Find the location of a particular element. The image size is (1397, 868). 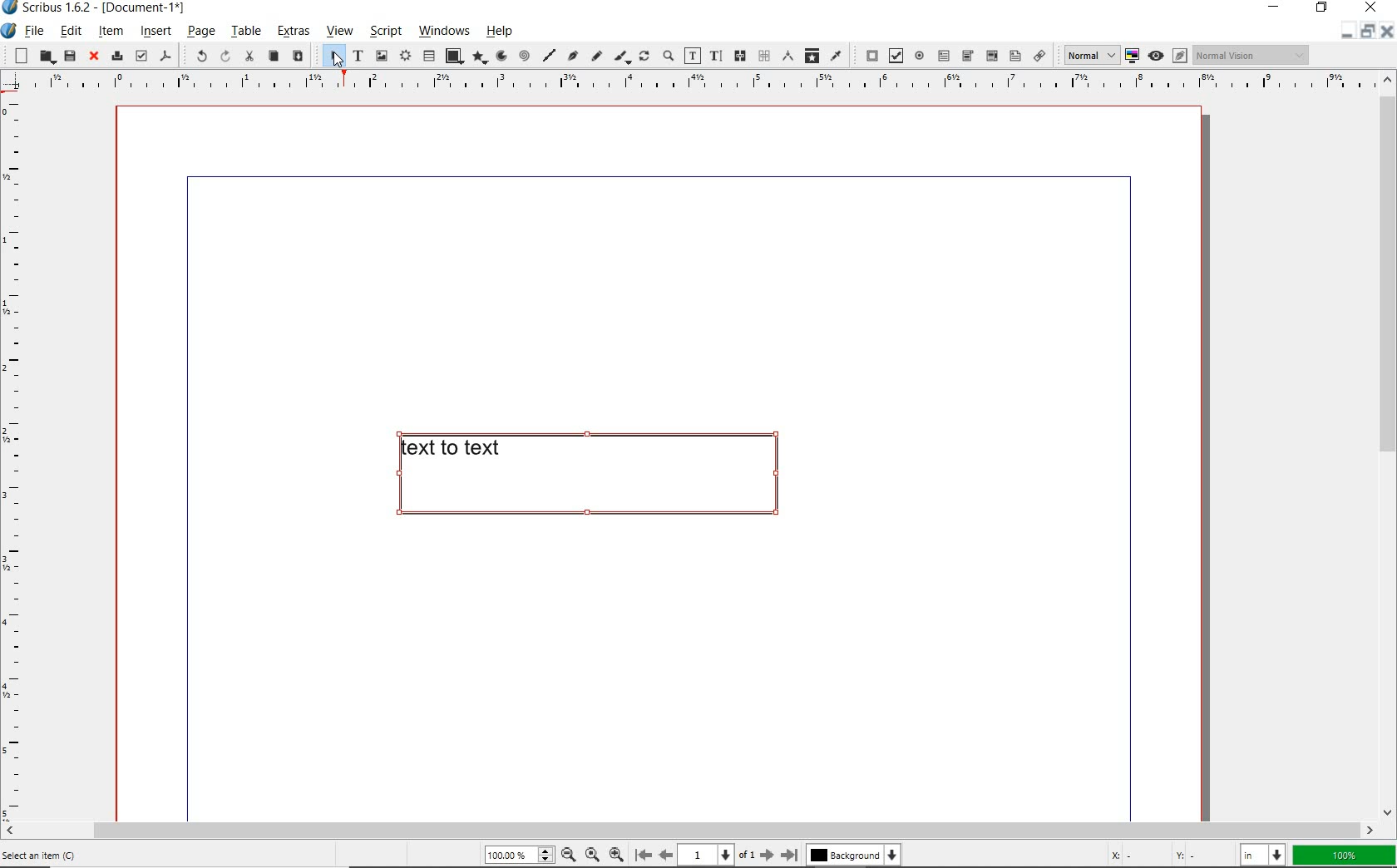

script is located at coordinates (383, 32).